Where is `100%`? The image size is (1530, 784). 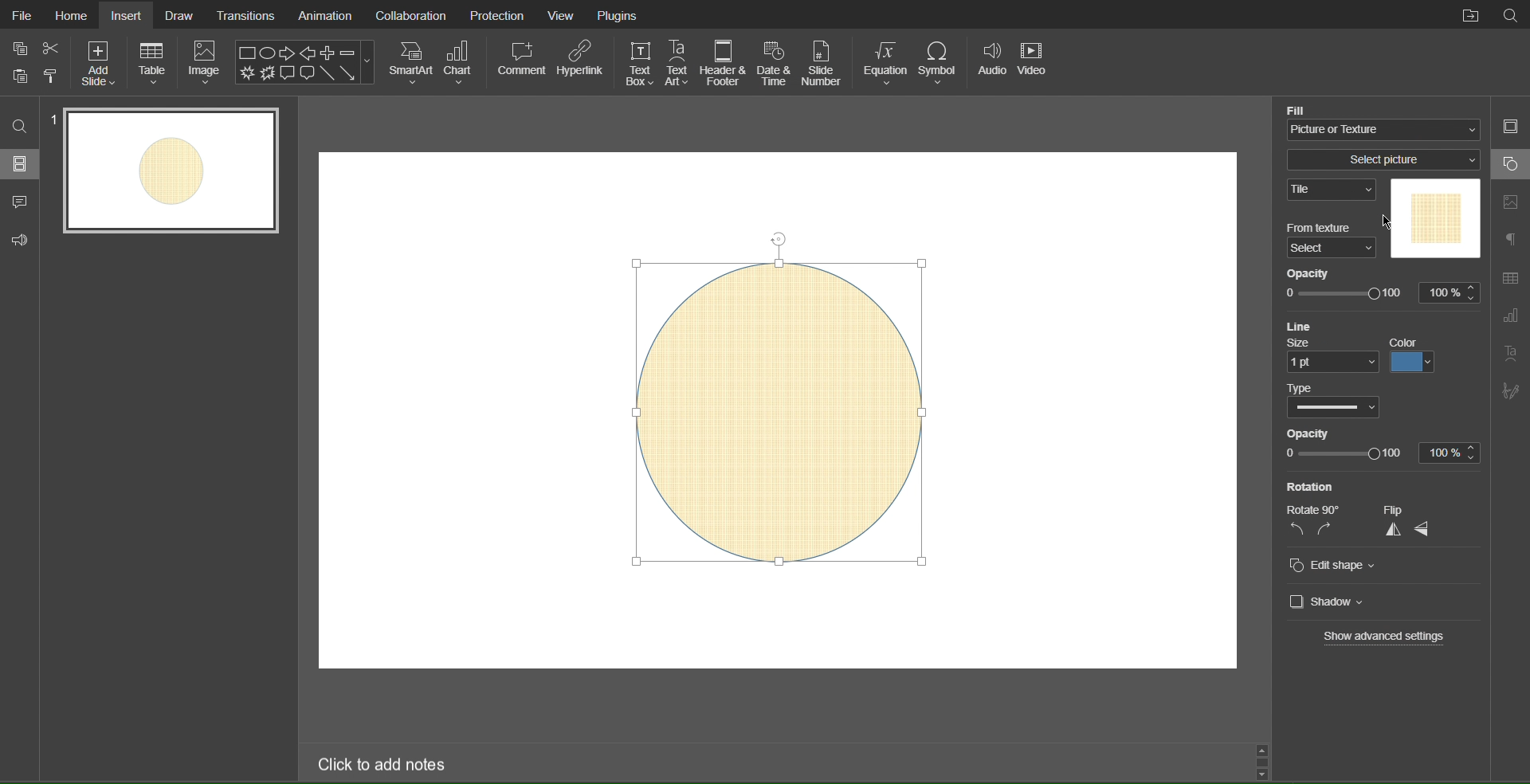 100% is located at coordinates (1455, 453).